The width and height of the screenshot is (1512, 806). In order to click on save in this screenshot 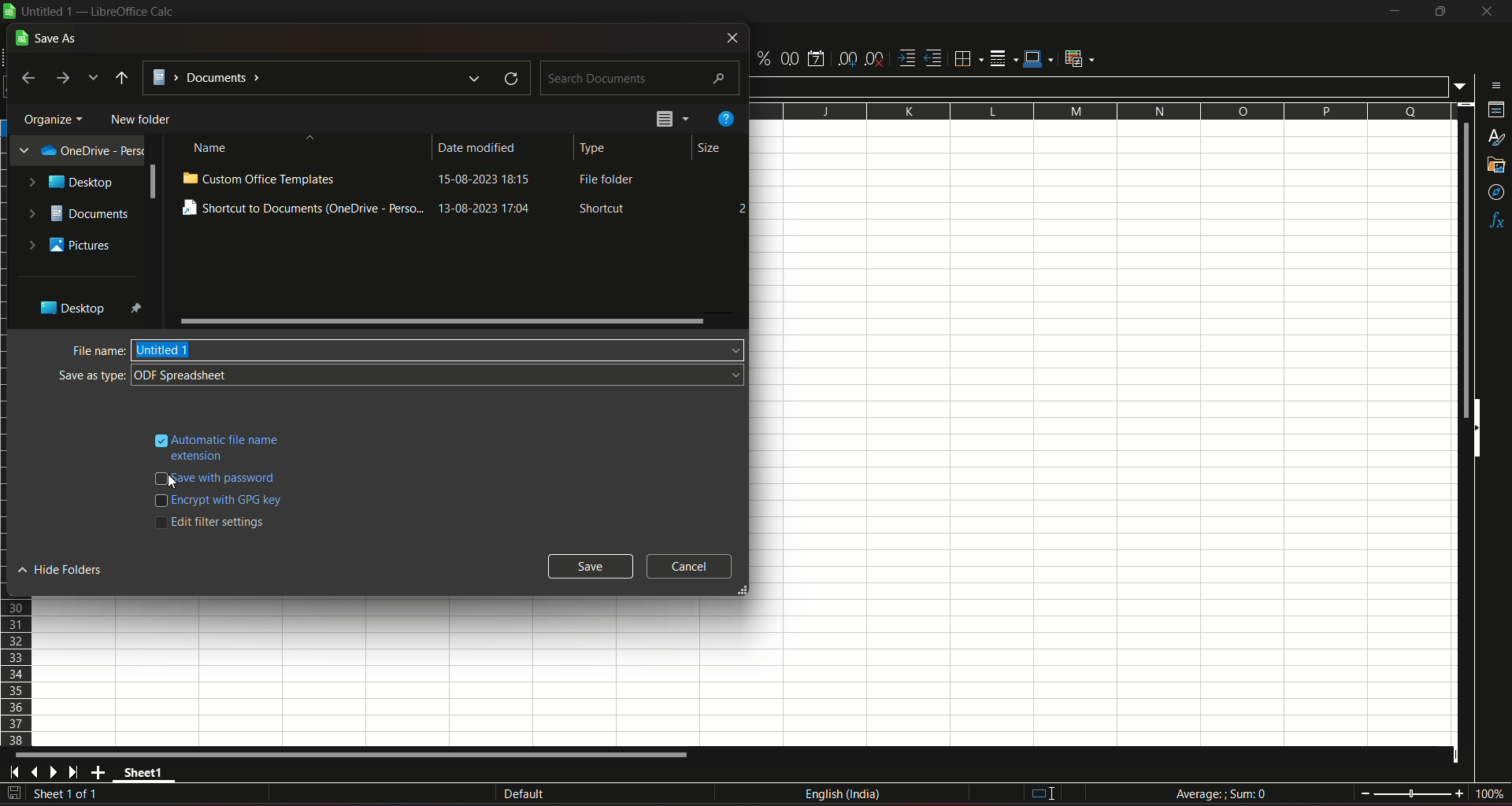, I will do `click(592, 567)`.